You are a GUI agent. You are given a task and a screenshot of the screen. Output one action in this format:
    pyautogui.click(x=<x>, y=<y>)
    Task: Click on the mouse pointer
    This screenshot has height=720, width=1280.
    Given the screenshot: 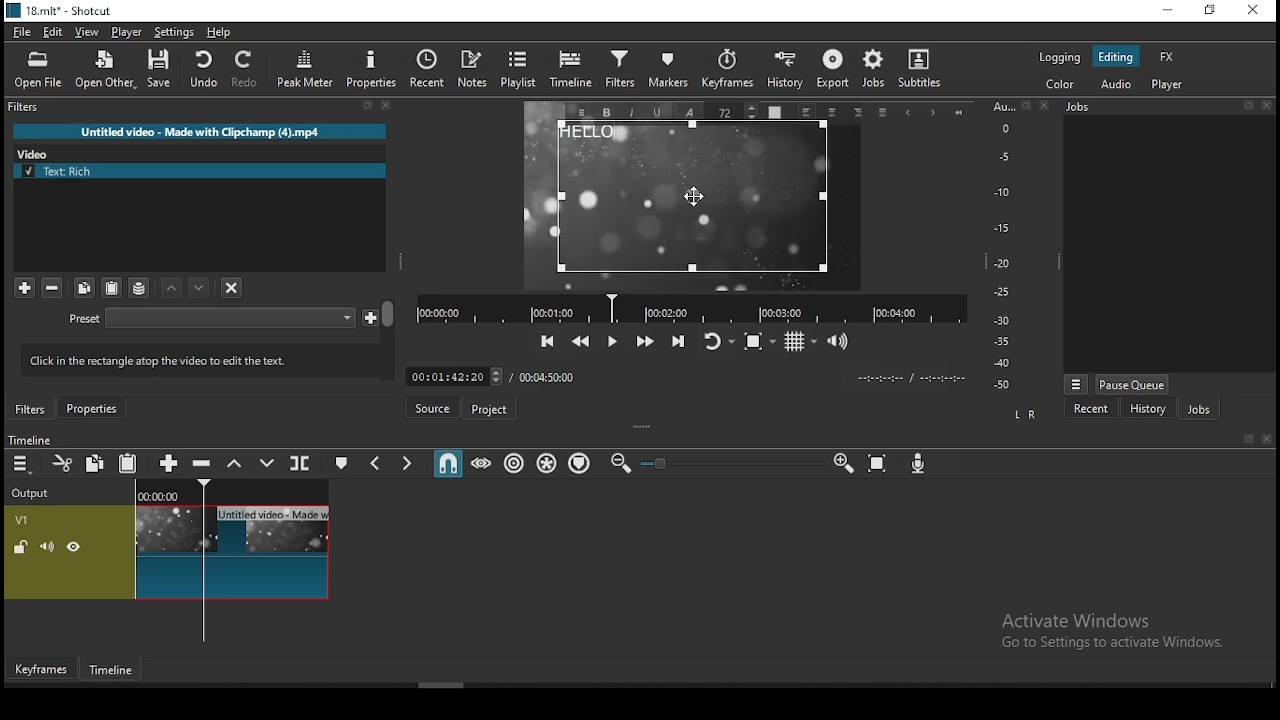 What is the action you would take?
    pyautogui.click(x=695, y=193)
    